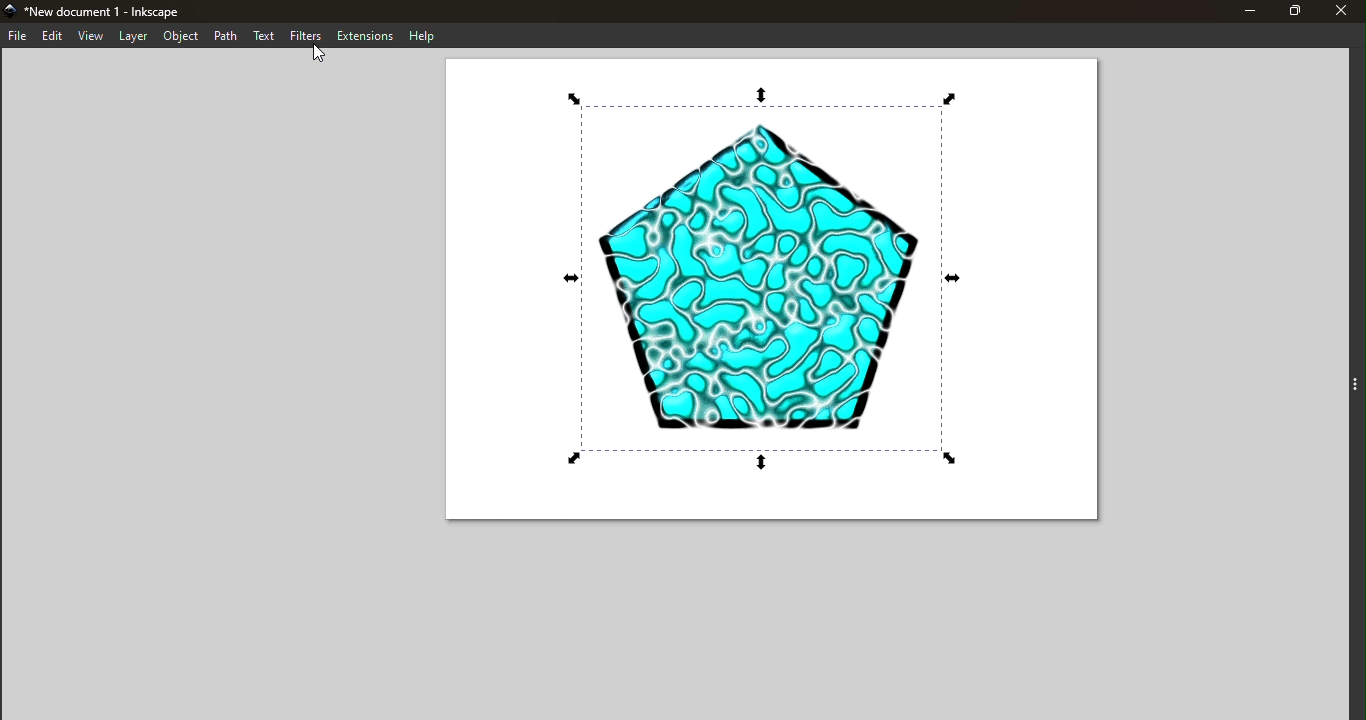 This screenshot has width=1366, height=720. What do you see at coordinates (324, 56) in the screenshot?
I see `Cursor` at bounding box center [324, 56].